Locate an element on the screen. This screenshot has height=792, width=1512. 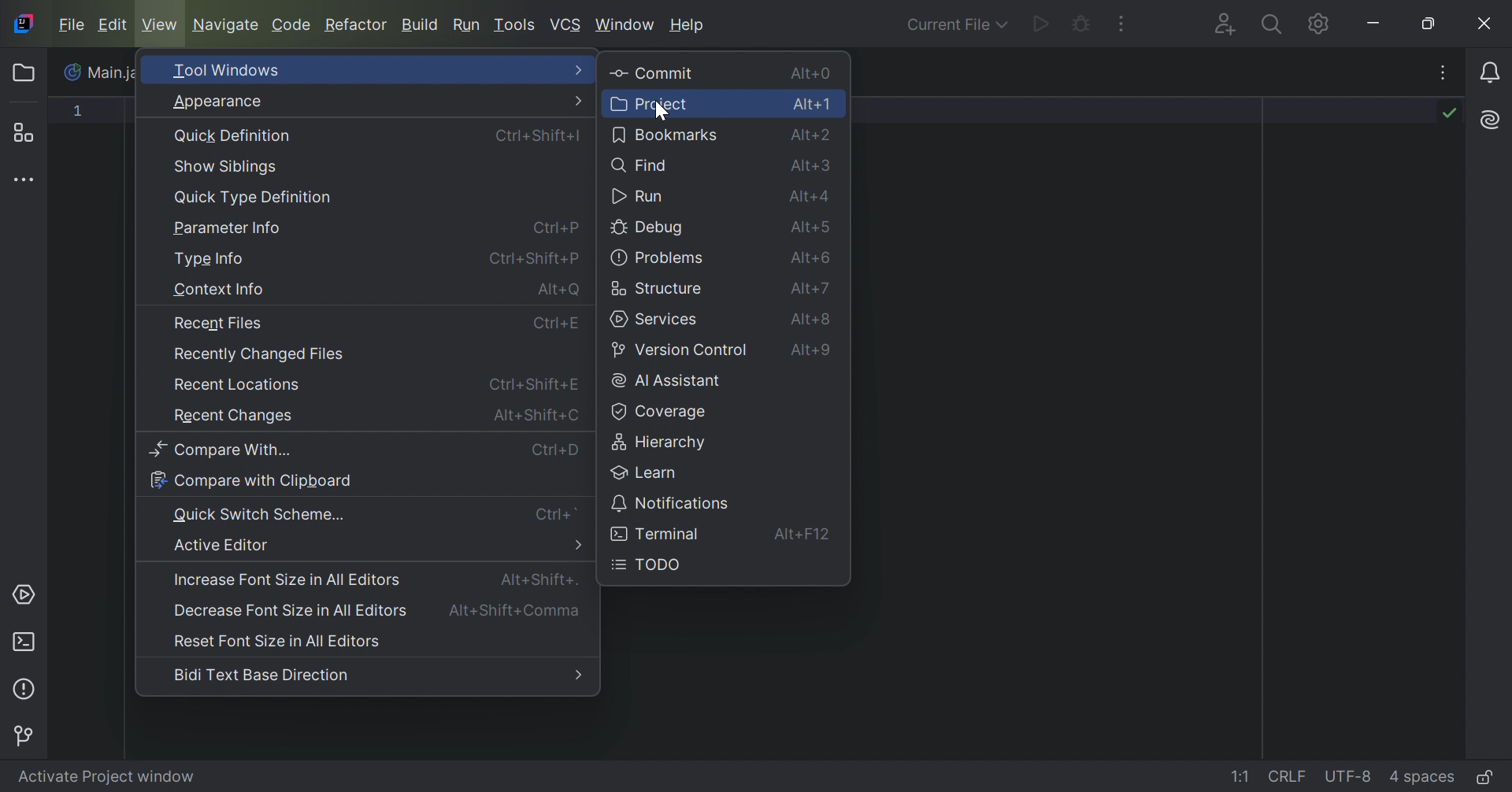
Active Editor is located at coordinates (223, 545).